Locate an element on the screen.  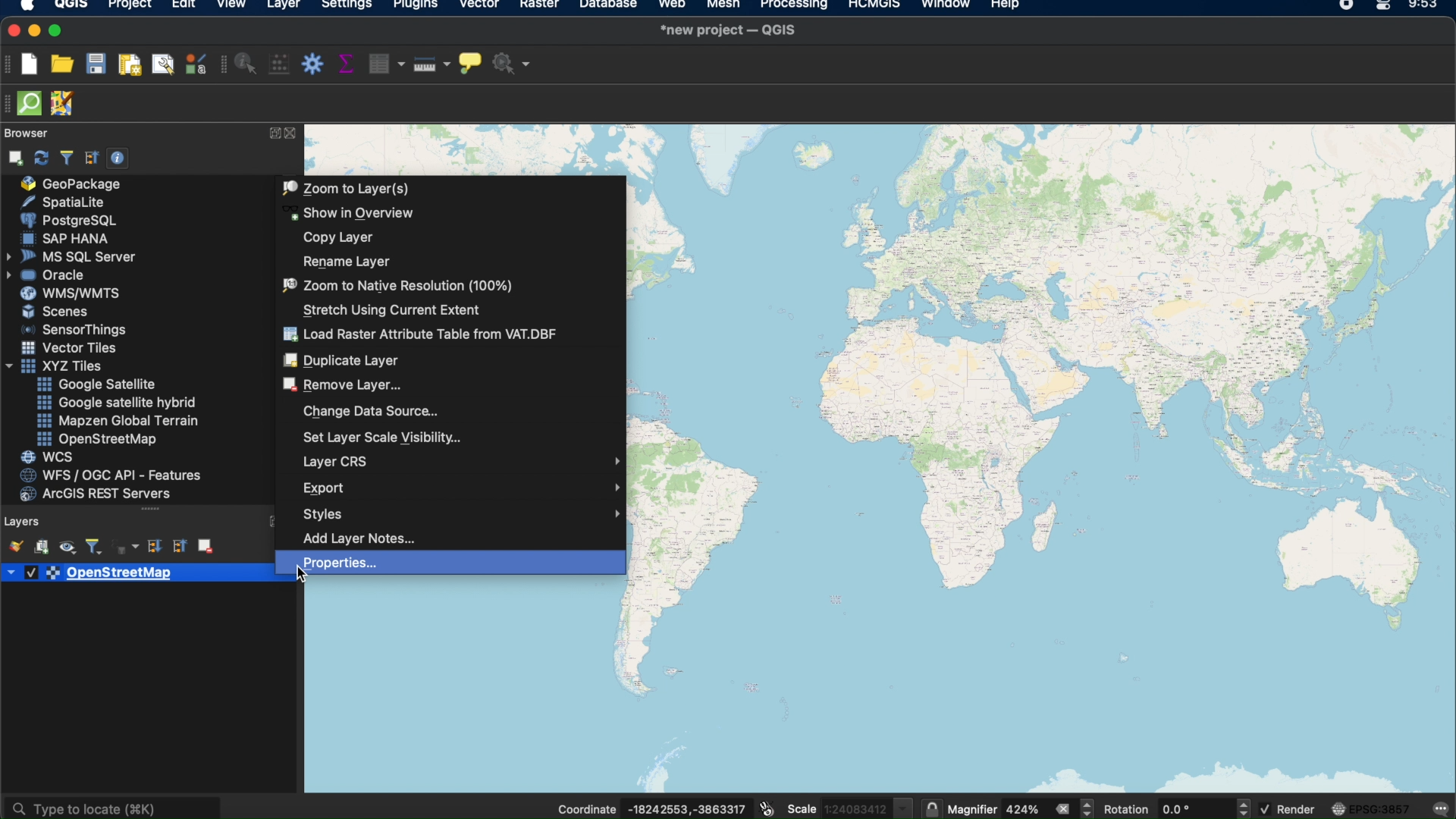
wcs is located at coordinates (47, 457).